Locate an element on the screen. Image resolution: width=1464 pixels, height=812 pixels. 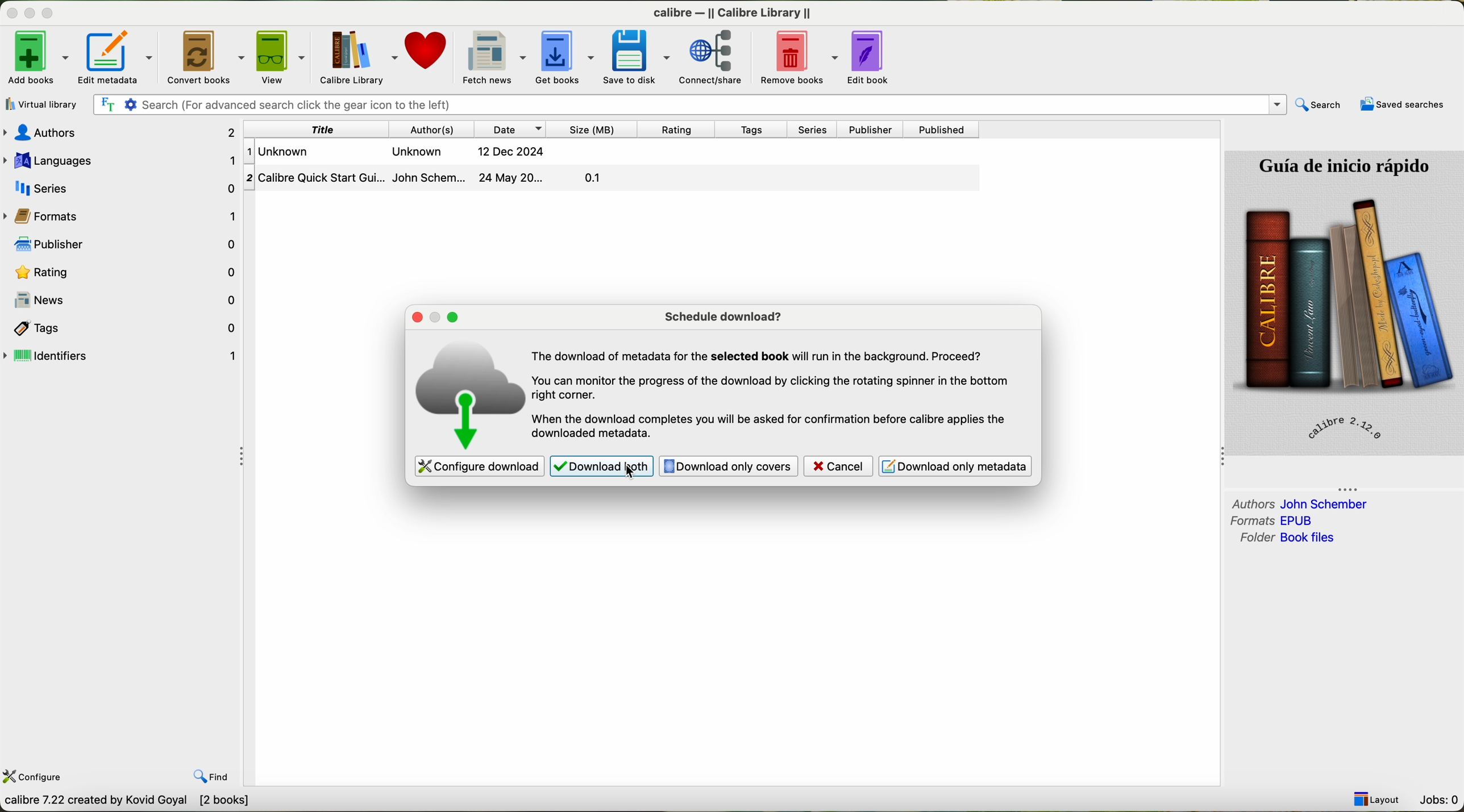
cancel is located at coordinates (838, 467).